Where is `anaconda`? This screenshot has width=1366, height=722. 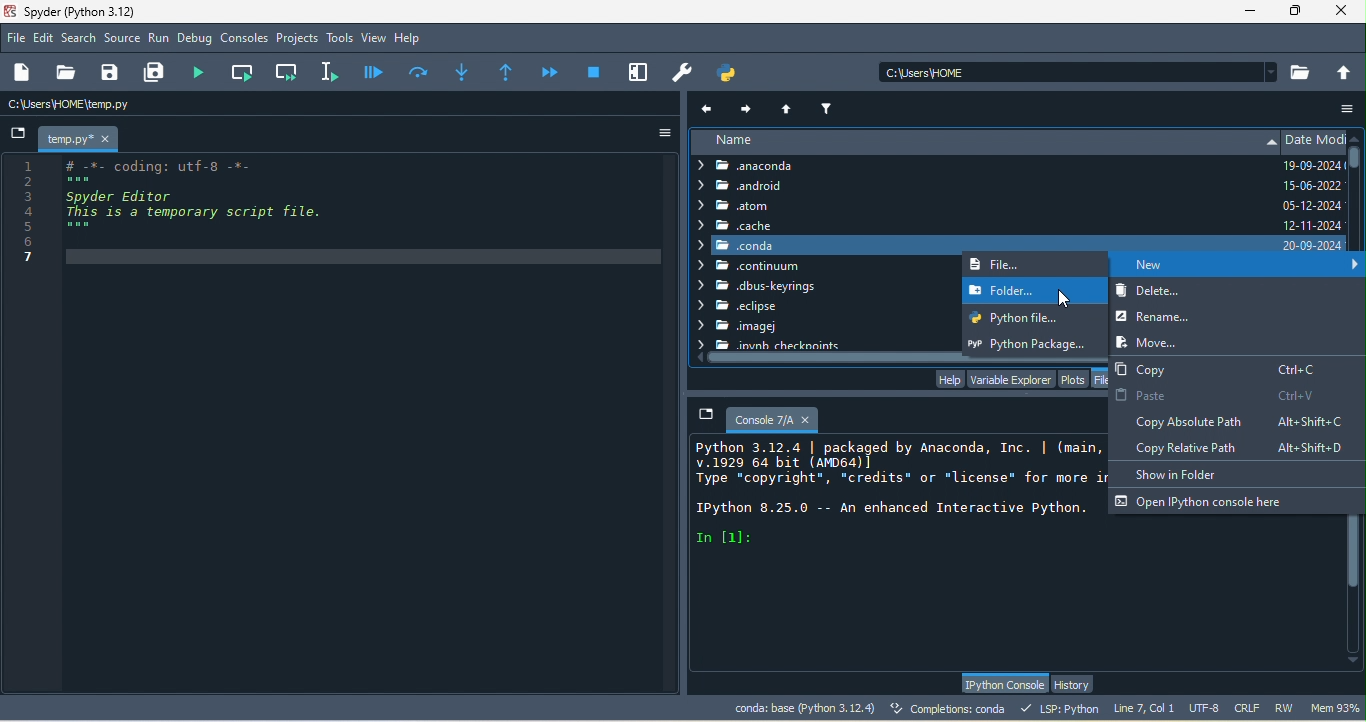 anaconda is located at coordinates (761, 166).